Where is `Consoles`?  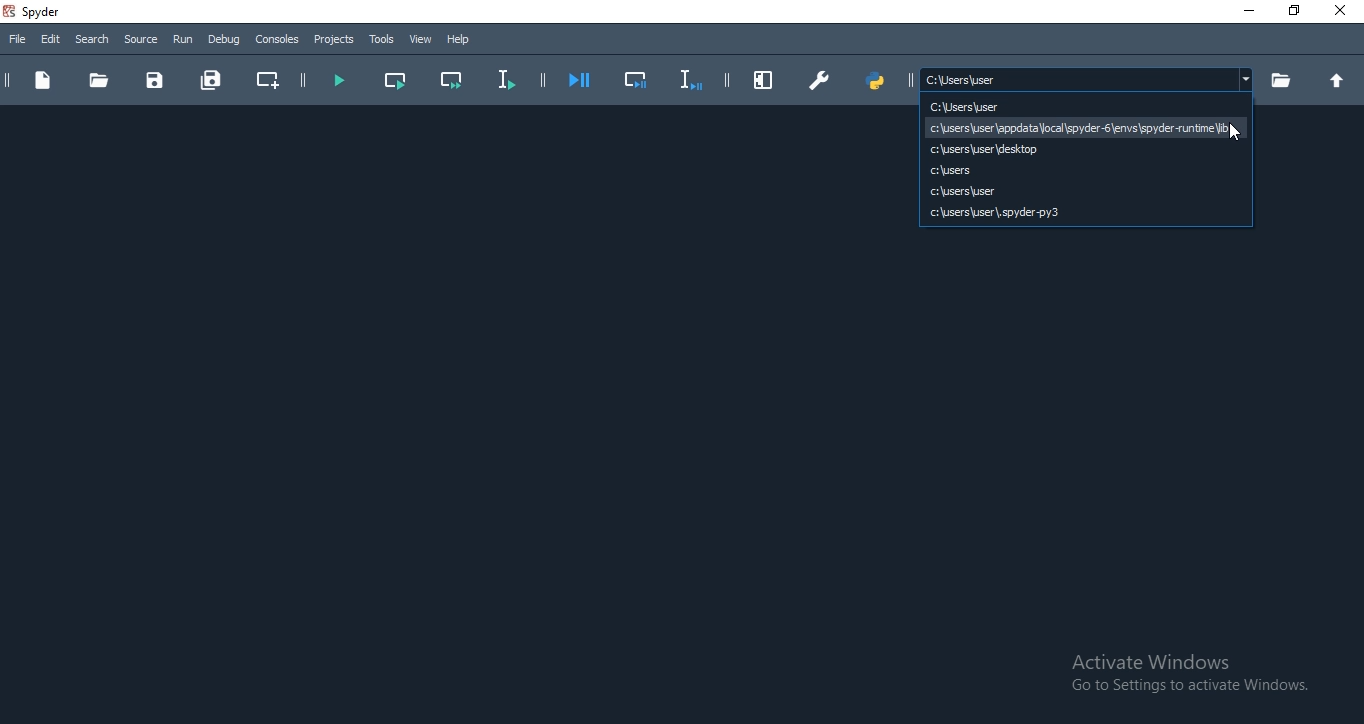
Consoles is located at coordinates (277, 40).